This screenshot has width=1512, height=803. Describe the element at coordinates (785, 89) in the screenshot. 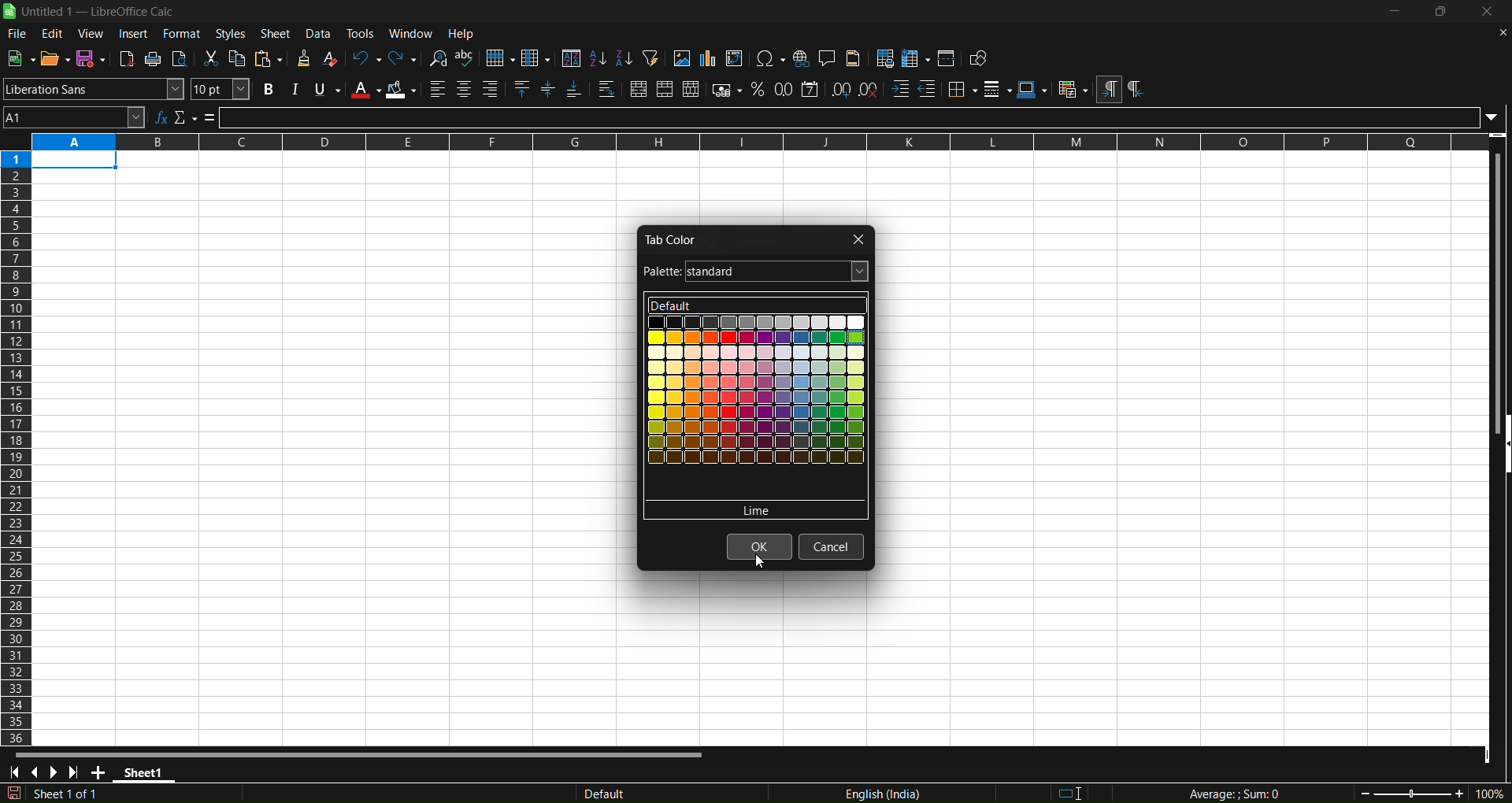

I see `format as number` at that location.